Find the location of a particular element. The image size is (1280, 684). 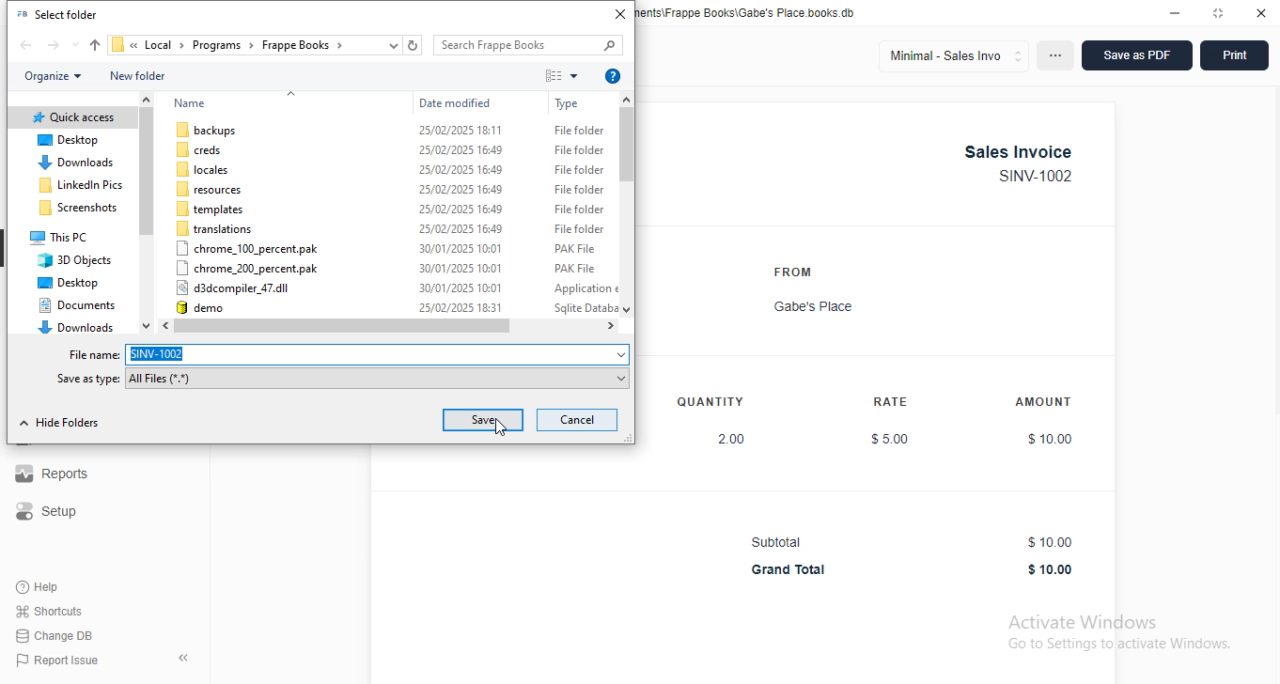

Grand Total is located at coordinates (790, 570).